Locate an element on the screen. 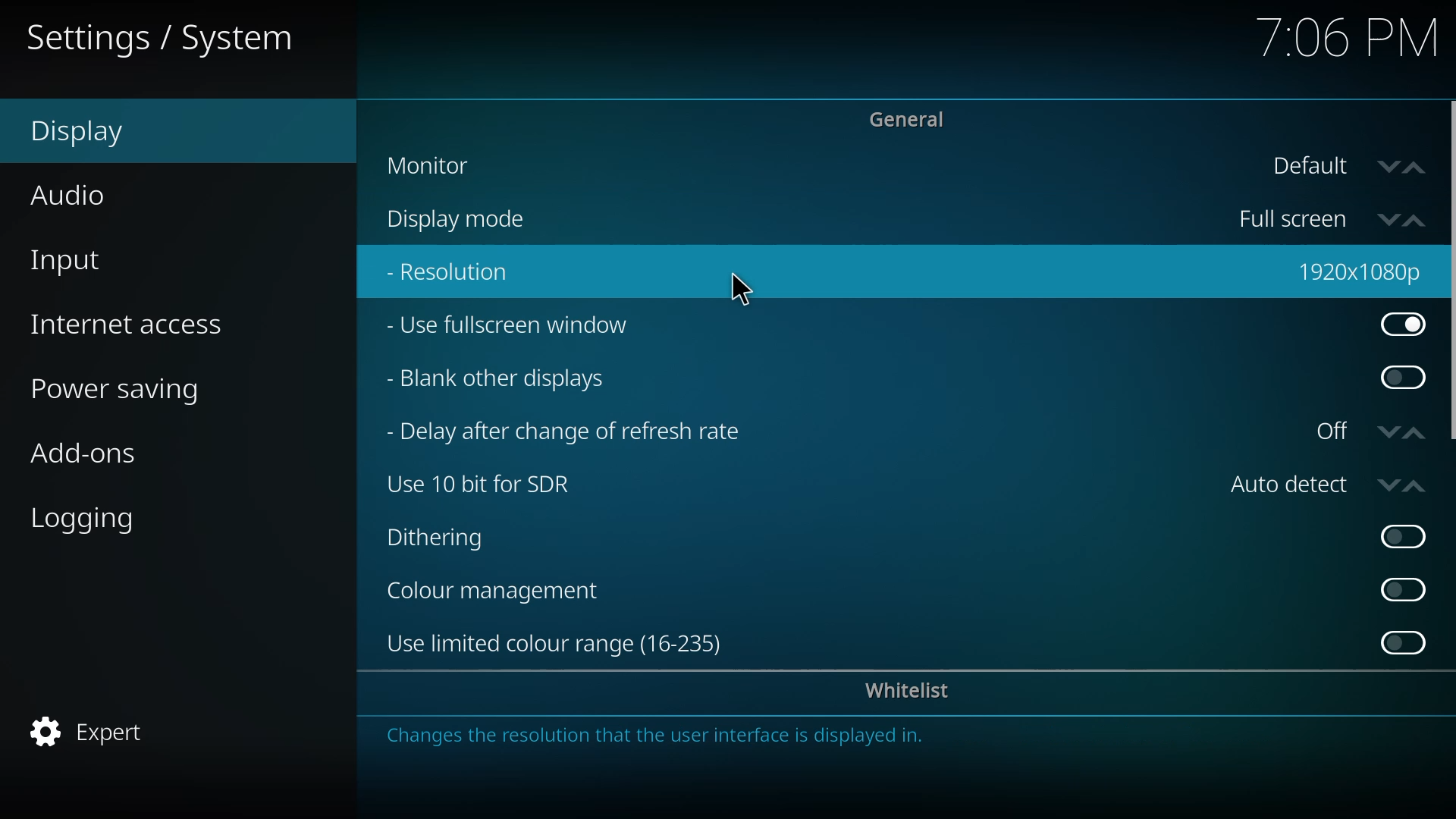 The image size is (1456, 819). default is located at coordinates (1344, 168).